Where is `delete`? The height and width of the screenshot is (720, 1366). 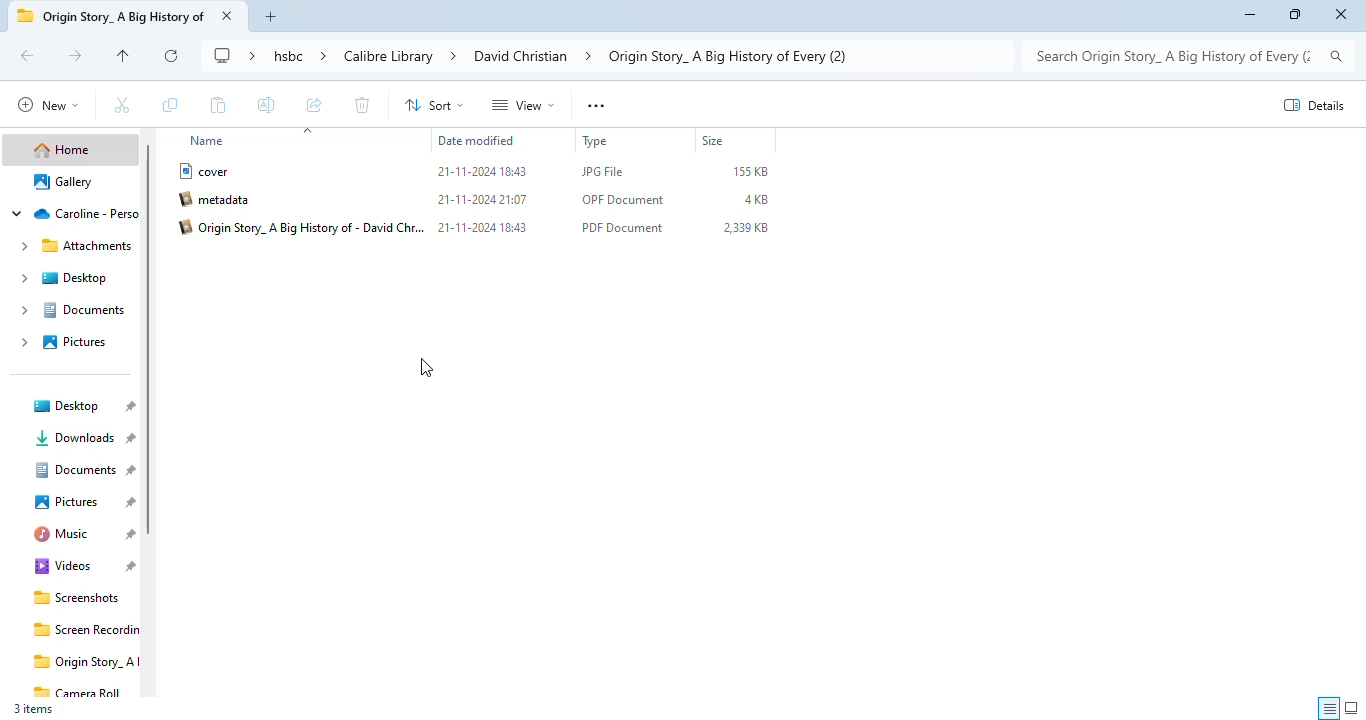 delete is located at coordinates (363, 105).